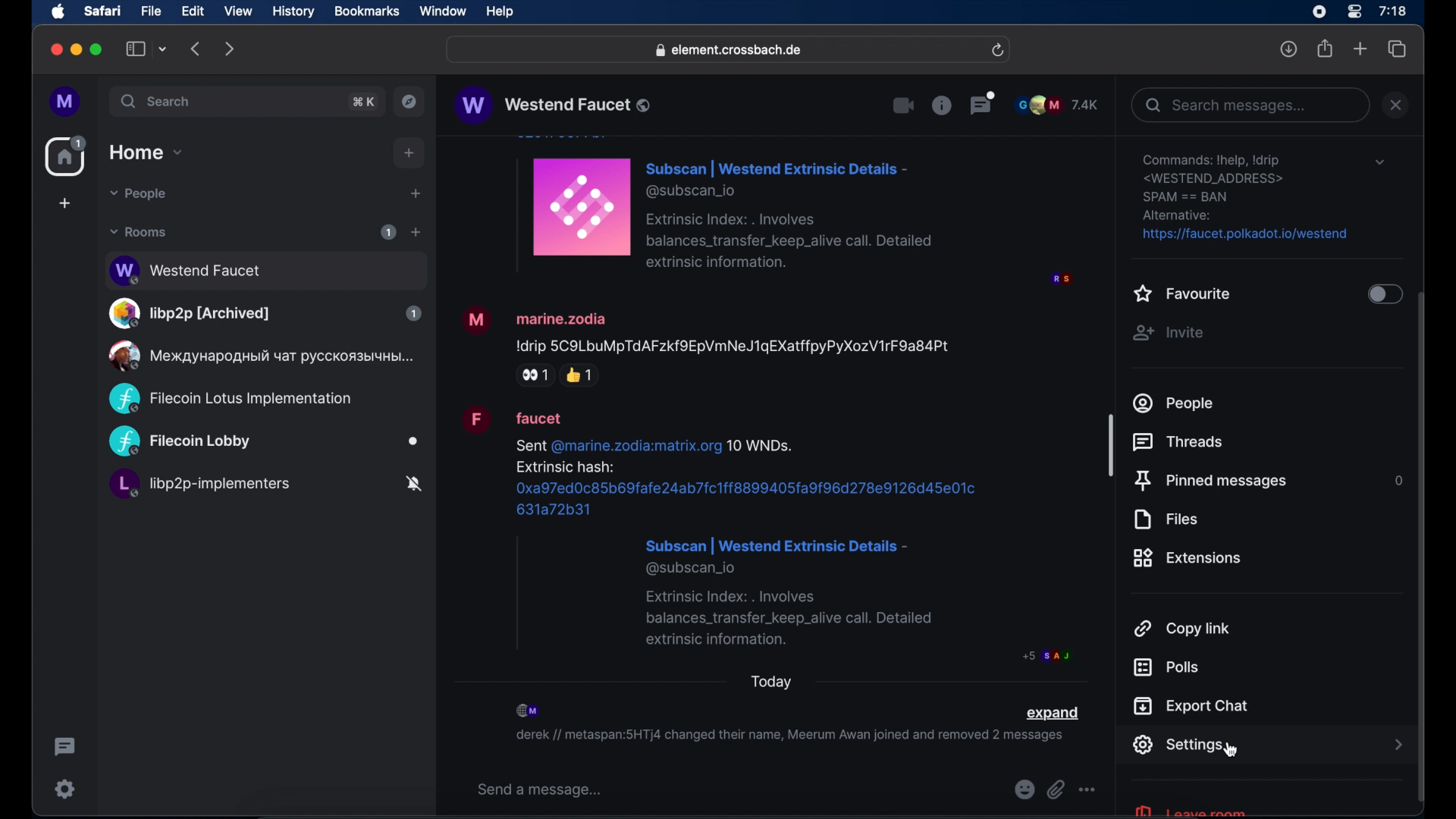 The height and width of the screenshot is (819, 1456). What do you see at coordinates (904, 106) in the screenshot?
I see `video call` at bounding box center [904, 106].